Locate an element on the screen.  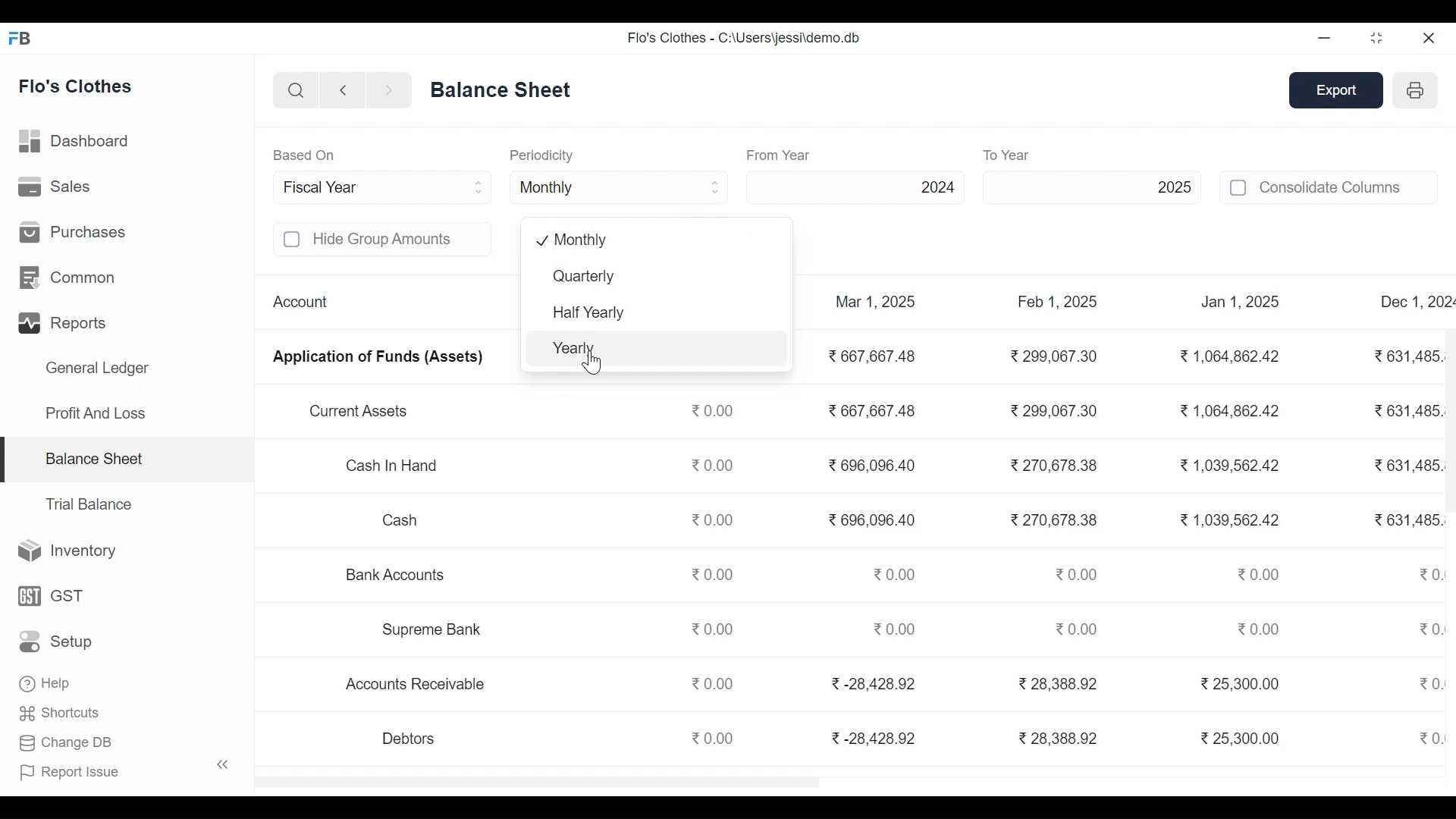
checkbox is located at coordinates (293, 240).